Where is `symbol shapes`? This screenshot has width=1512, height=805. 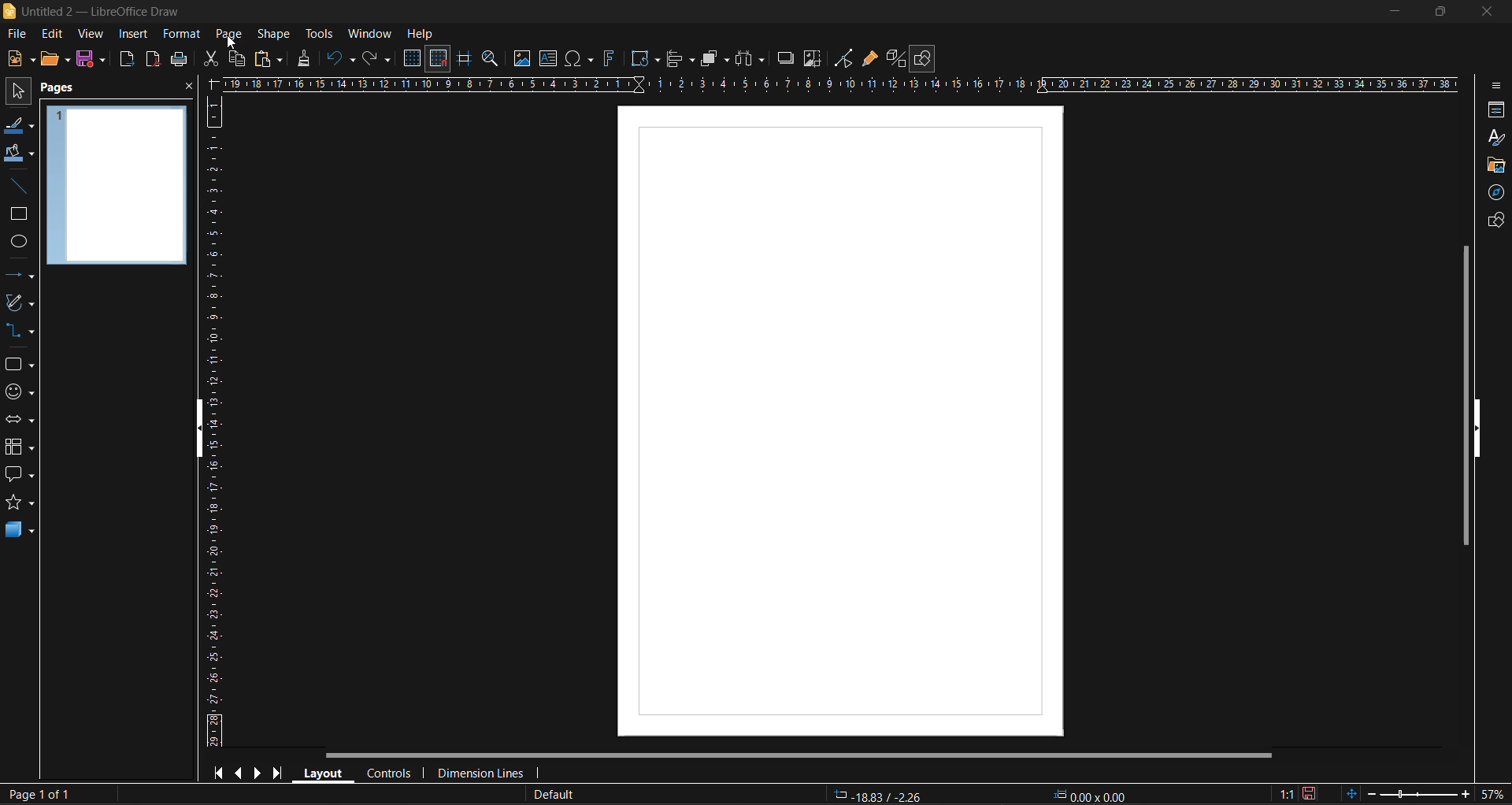
symbol shapes is located at coordinates (20, 394).